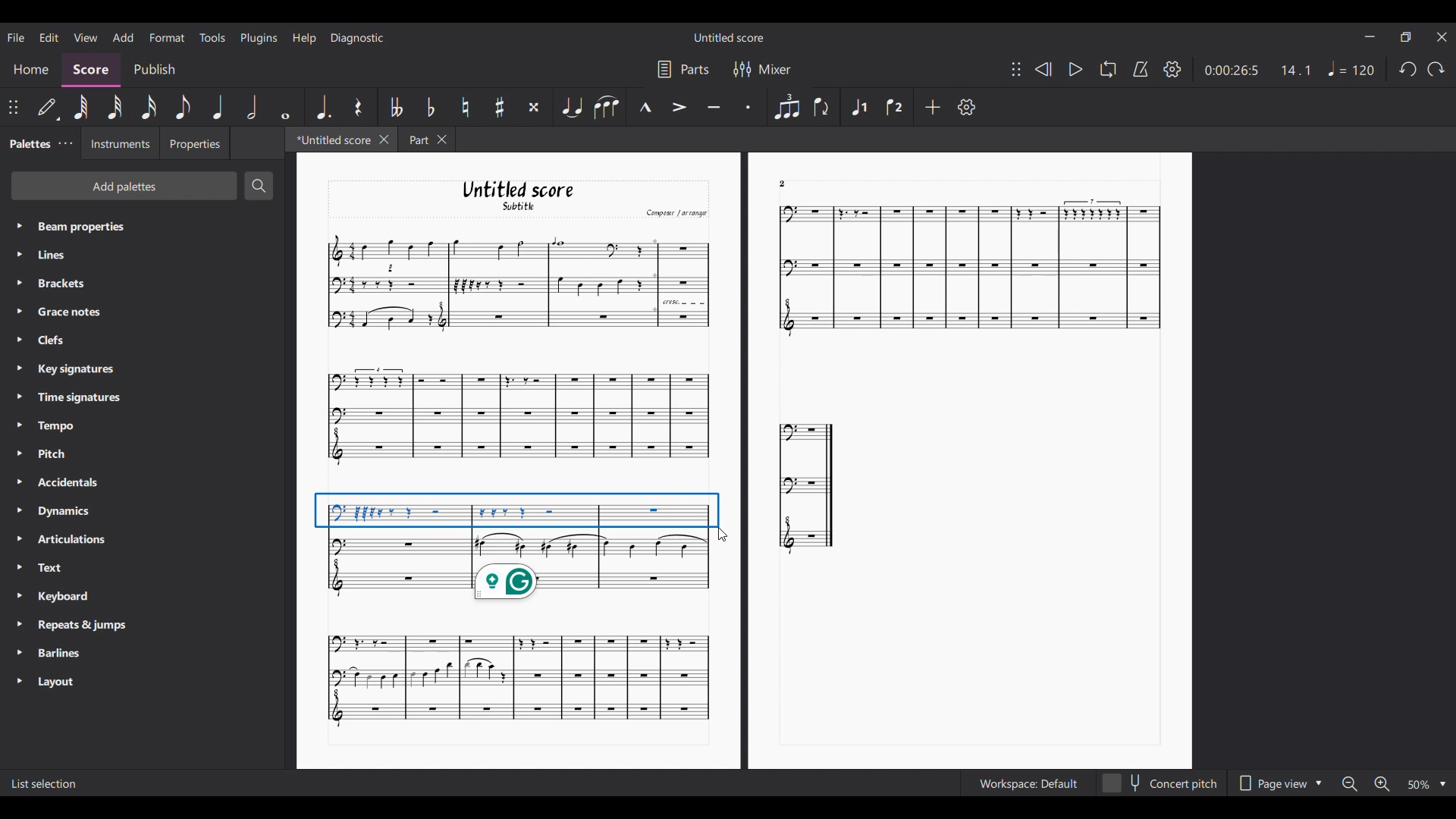 The height and width of the screenshot is (819, 1456). I want to click on Augmentation dot, so click(323, 106).